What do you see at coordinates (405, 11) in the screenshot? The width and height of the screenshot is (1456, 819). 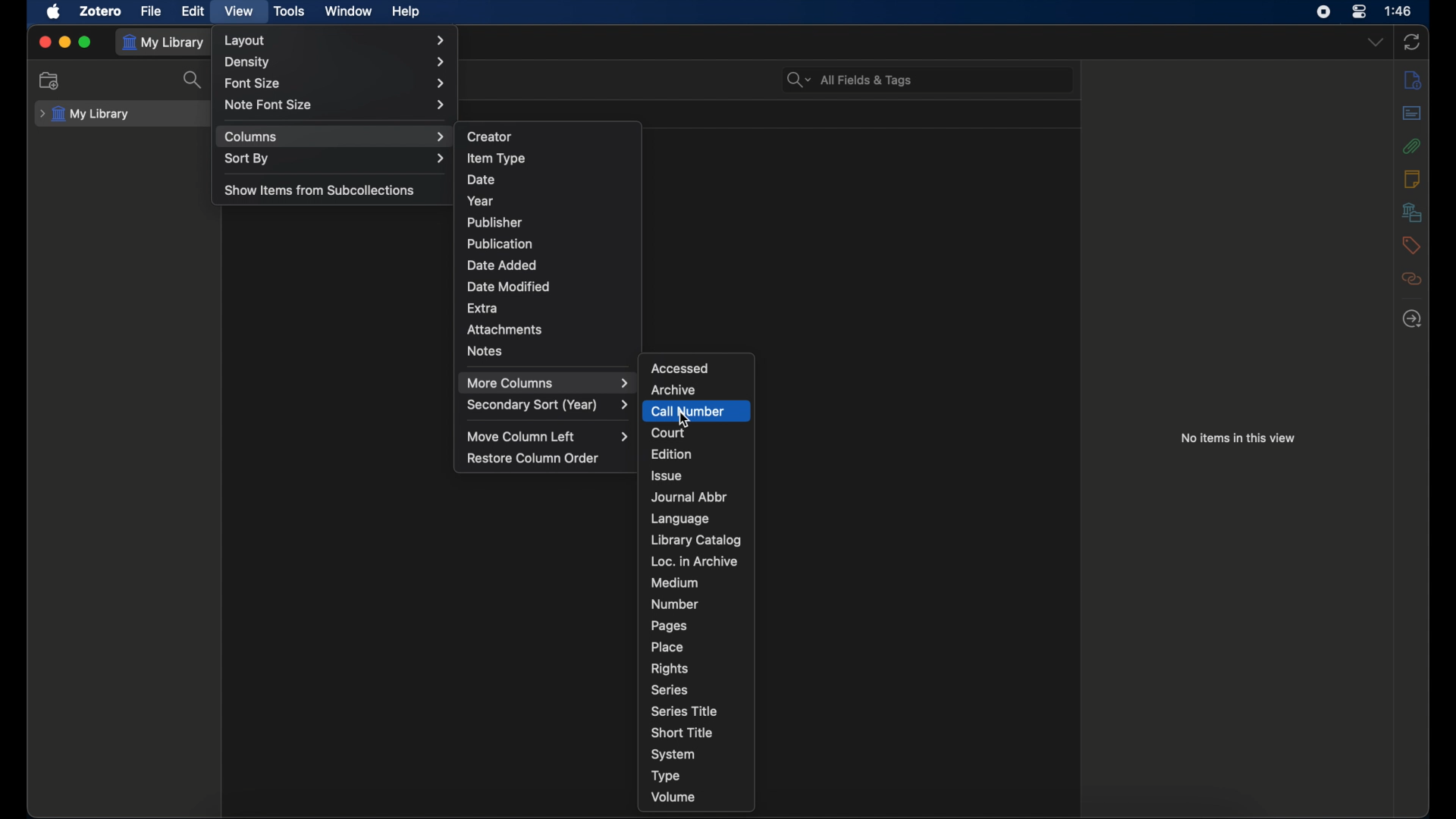 I see `help` at bounding box center [405, 11].